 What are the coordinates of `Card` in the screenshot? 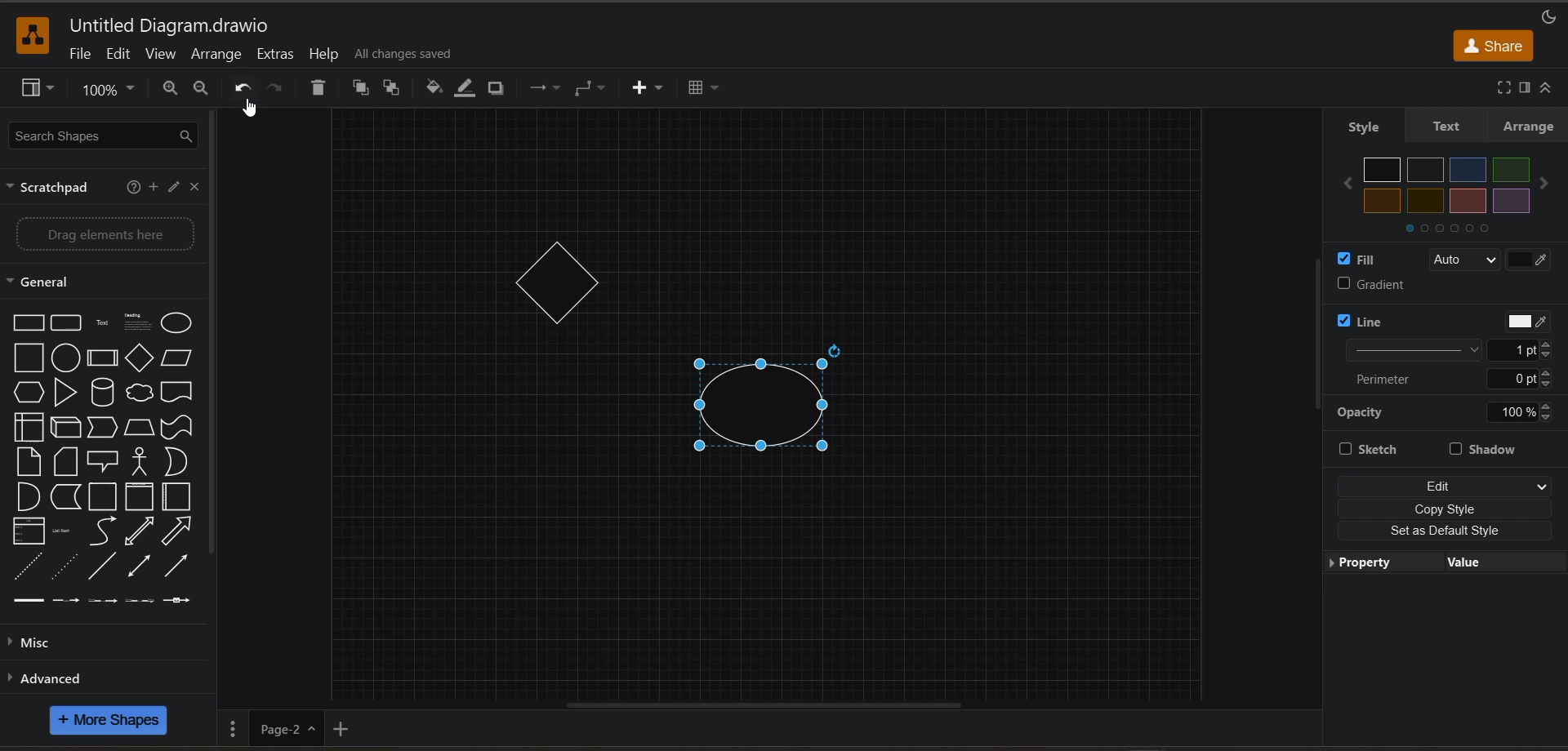 It's located at (64, 461).